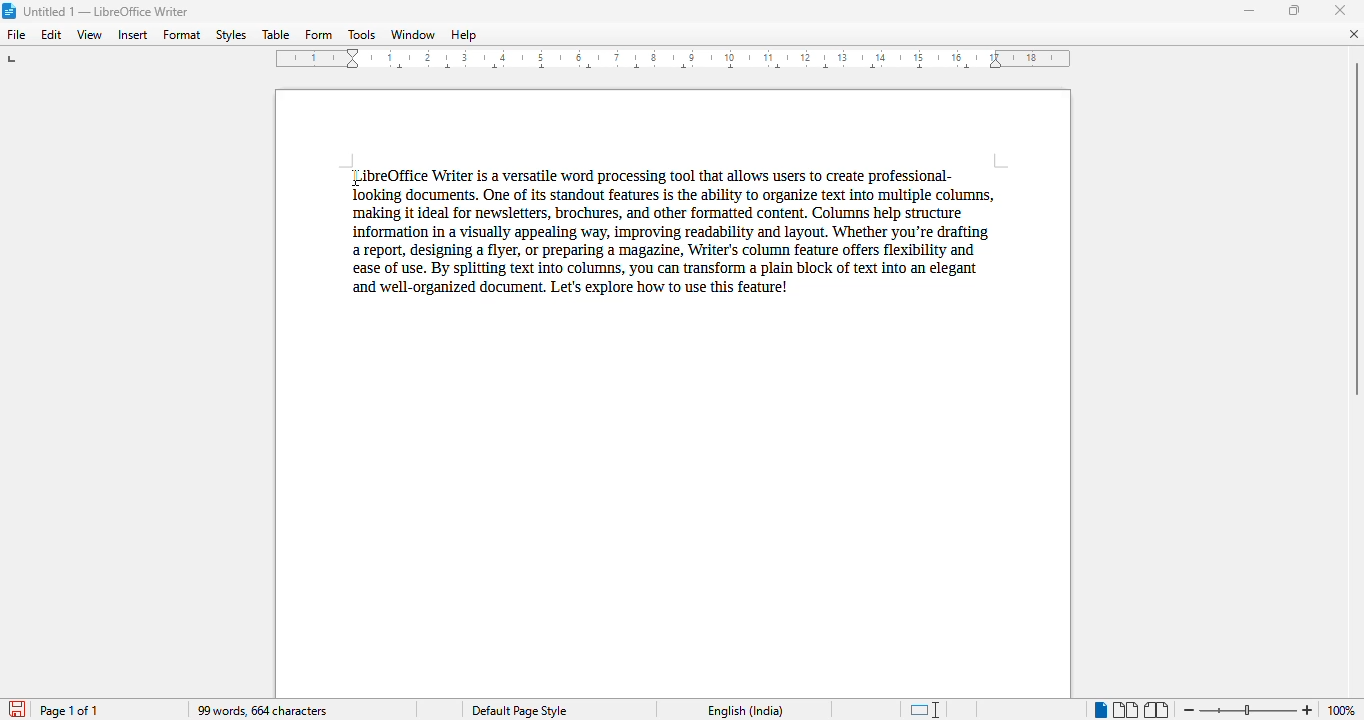 This screenshot has width=1364, height=720. What do you see at coordinates (1344, 710) in the screenshot?
I see `100% (zoom level)` at bounding box center [1344, 710].